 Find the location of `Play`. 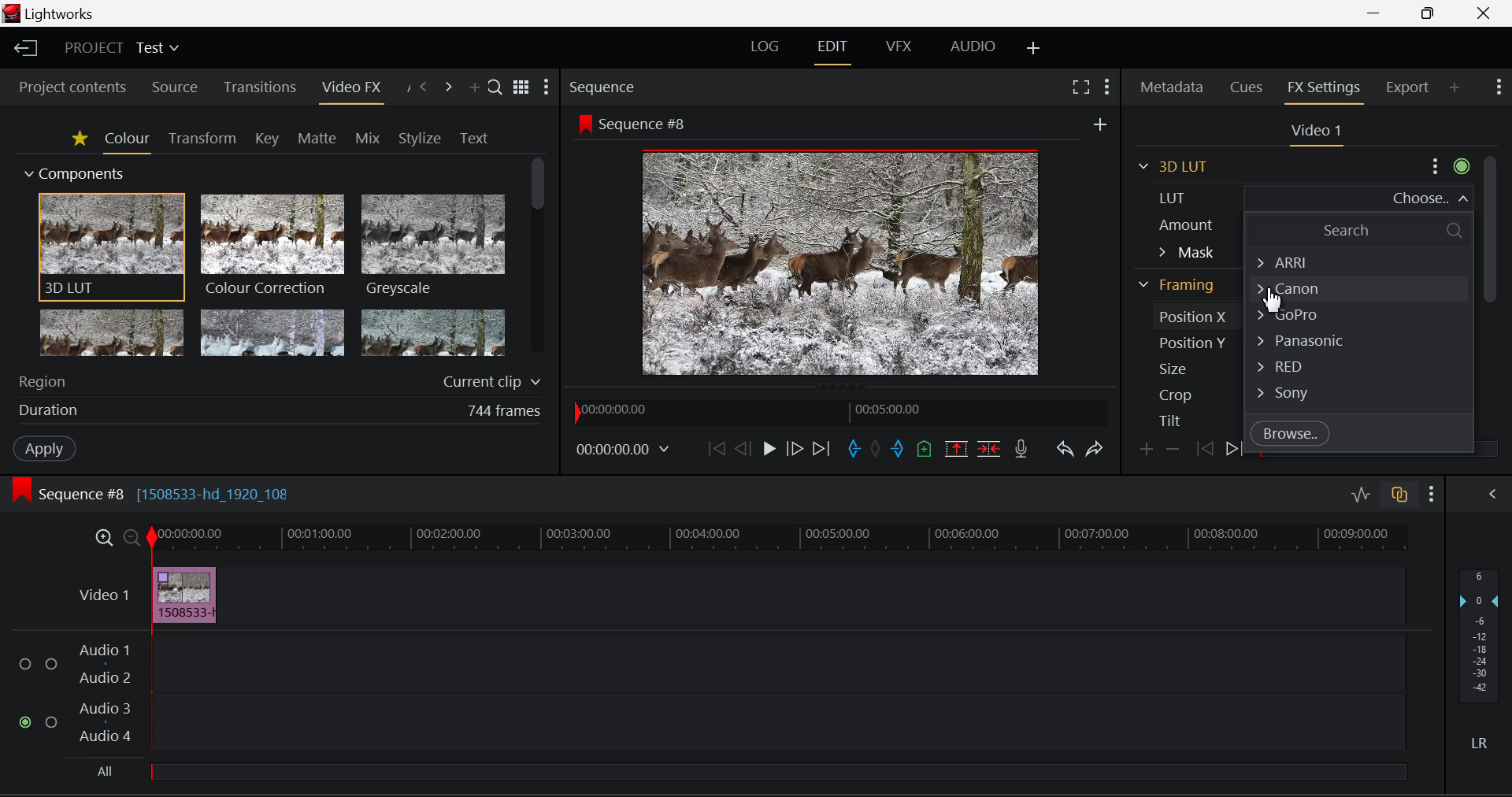

Play is located at coordinates (767, 449).